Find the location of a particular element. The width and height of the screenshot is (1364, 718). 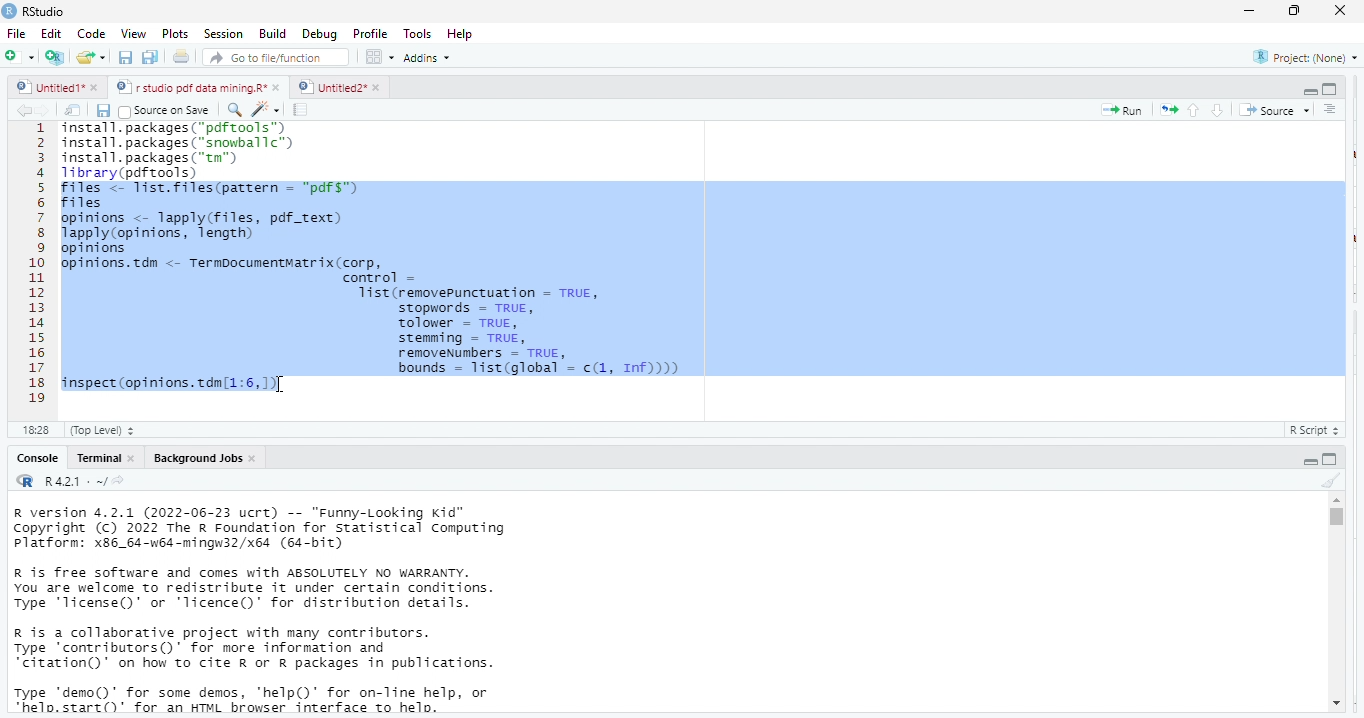

hide r script is located at coordinates (1311, 460).